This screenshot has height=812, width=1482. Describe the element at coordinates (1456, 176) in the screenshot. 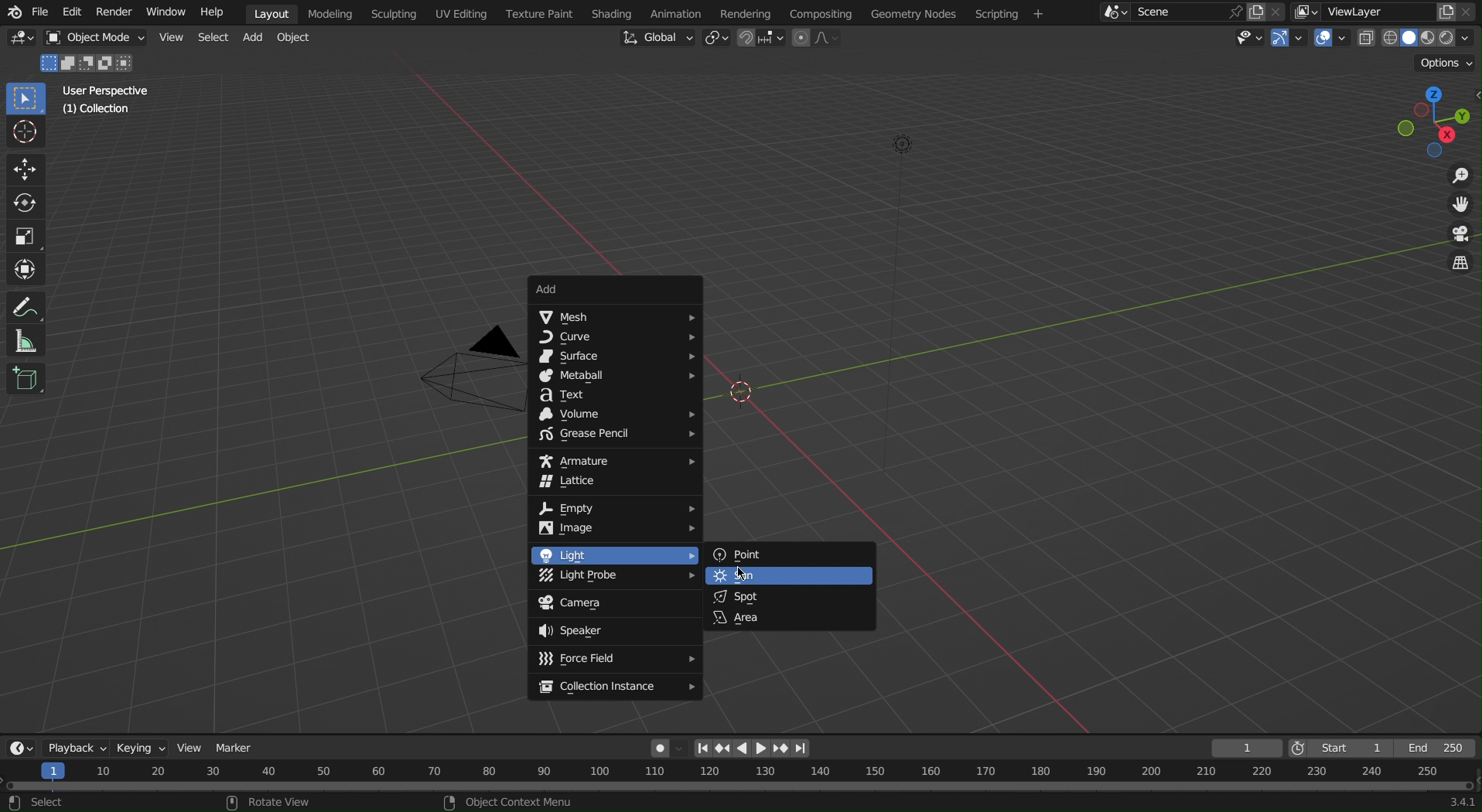

I see `Zoom in-out` at that location.